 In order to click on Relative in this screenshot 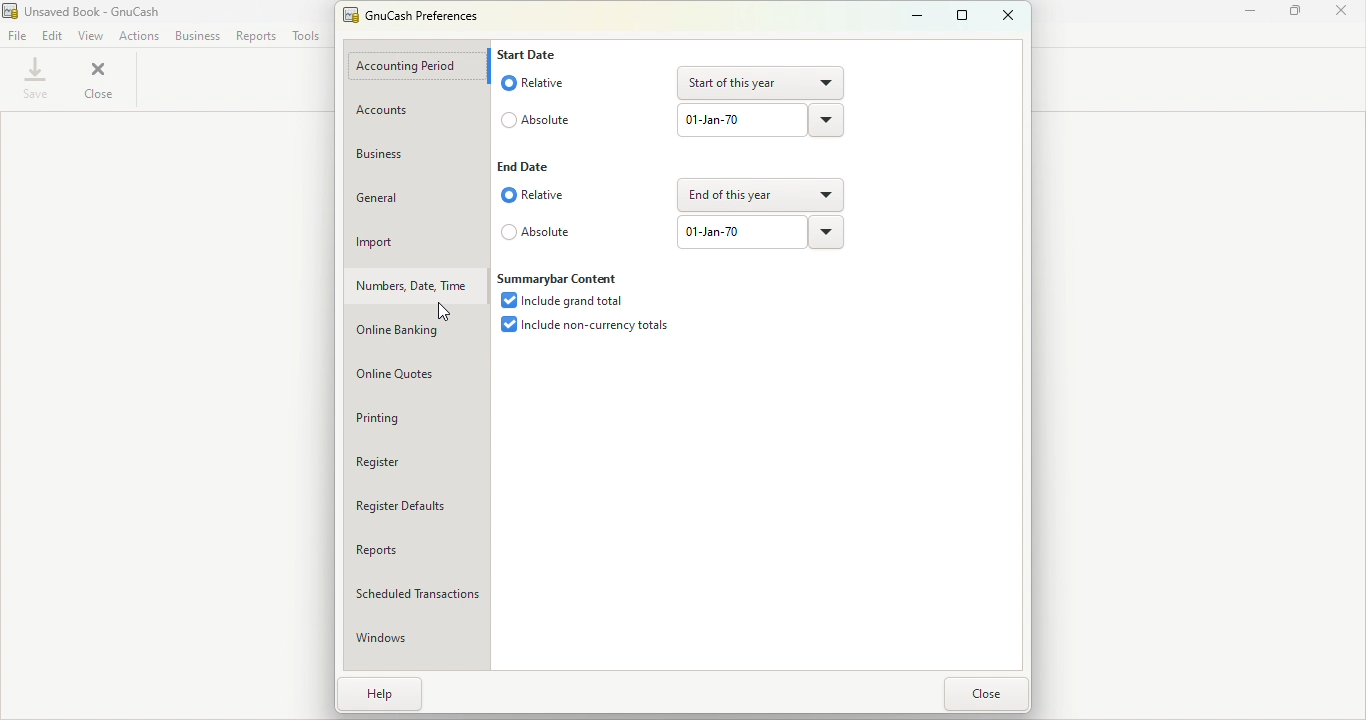, I will do `click(538, 82)`.